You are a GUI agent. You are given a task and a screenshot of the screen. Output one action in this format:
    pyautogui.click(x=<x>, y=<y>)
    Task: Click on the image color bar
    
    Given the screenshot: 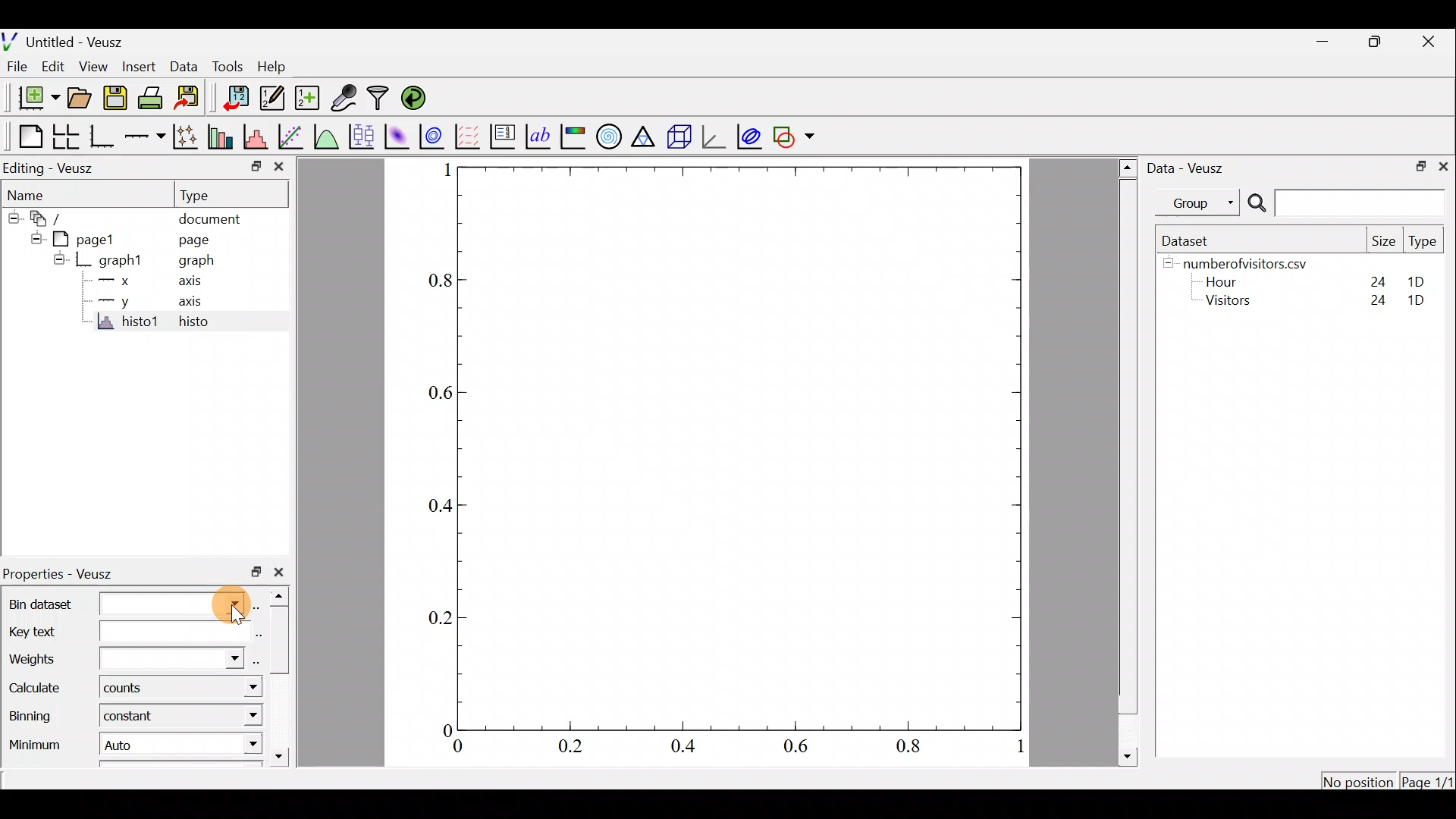 What is the action you would take?
    pyautogui.click(x=573, y=136)
    